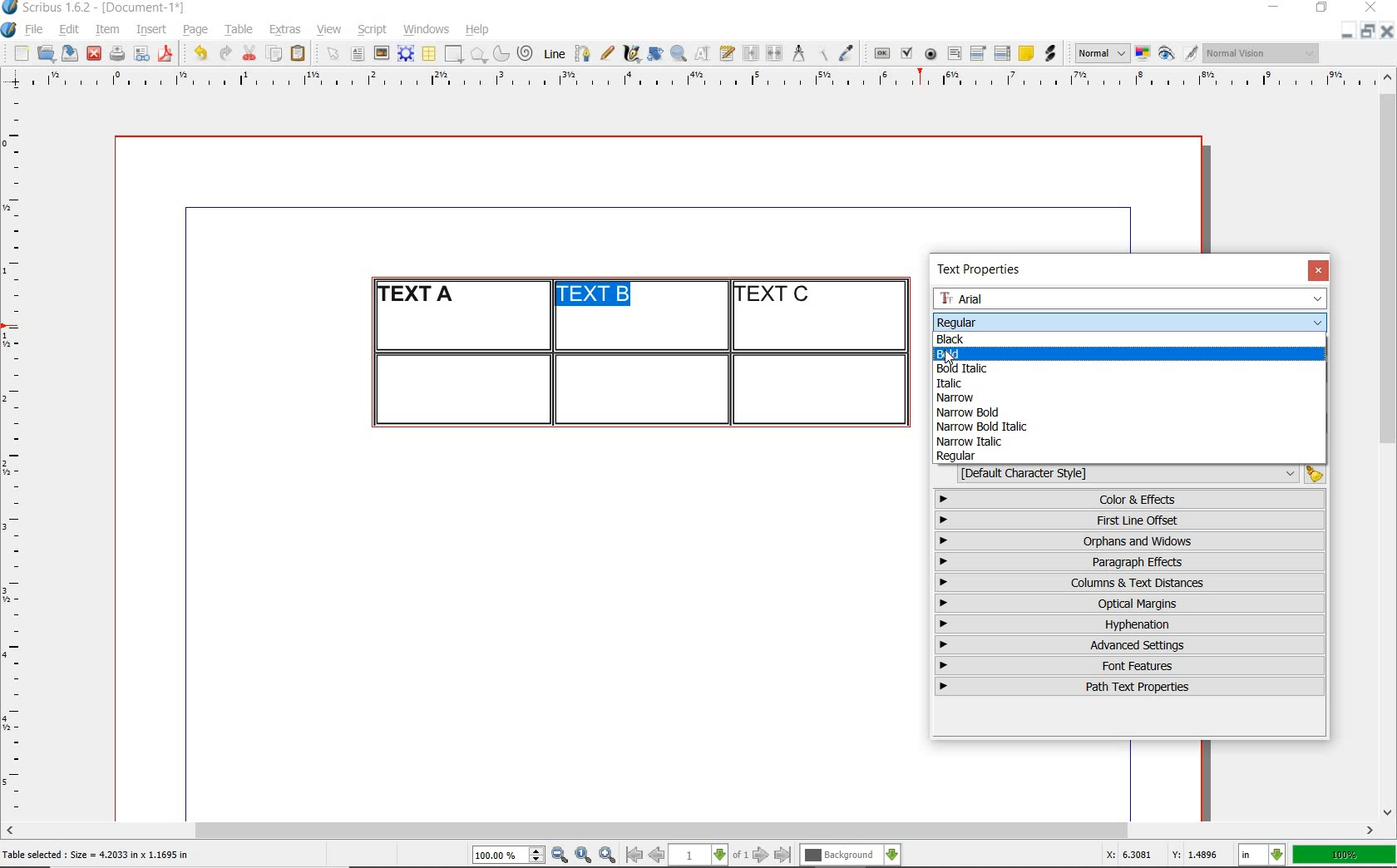 The height and width of the screenshot is (868, 1397). I want to click on Bezier curve, so click(581, 53).